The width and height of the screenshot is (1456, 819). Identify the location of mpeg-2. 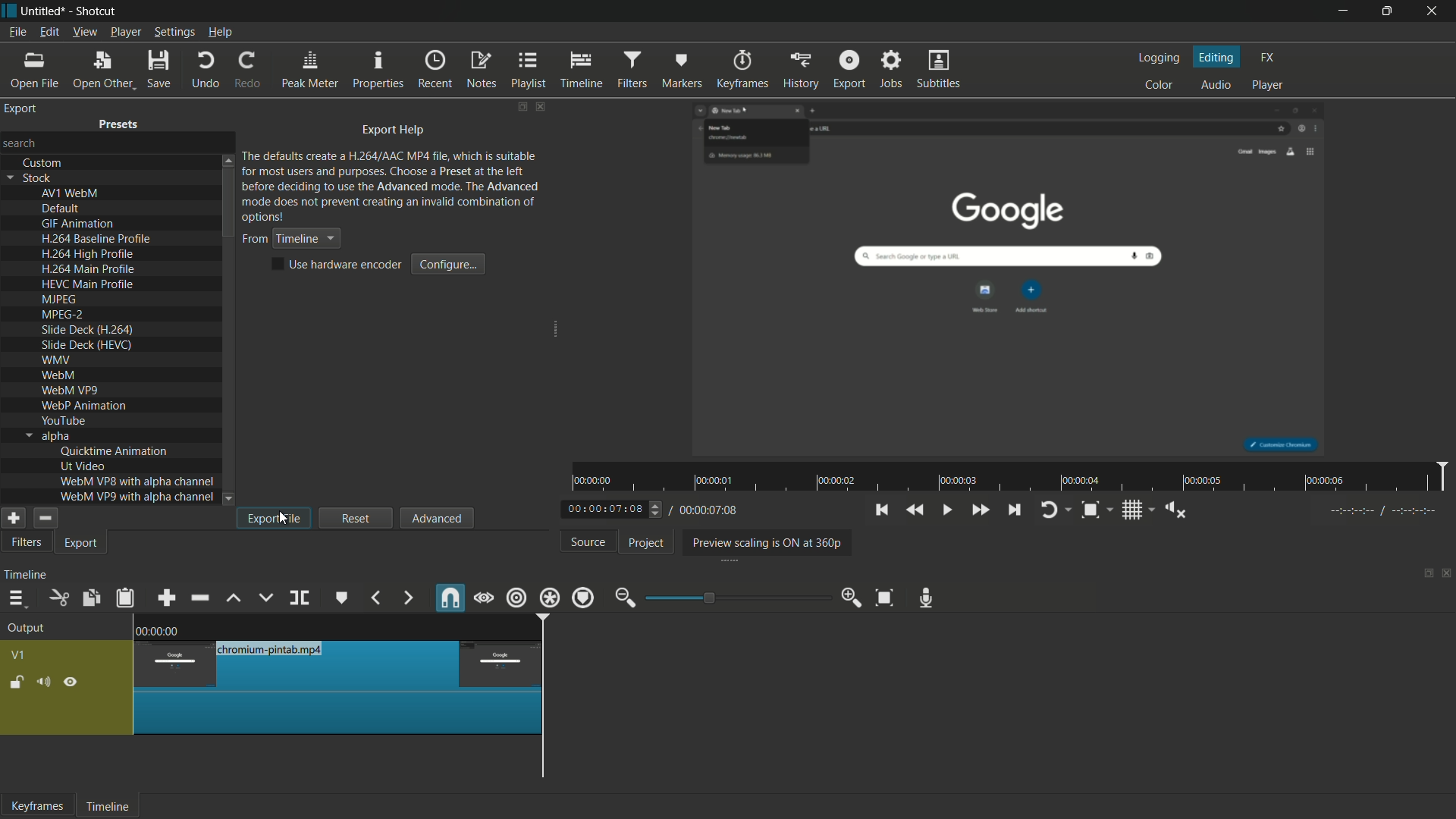
(60, 315).